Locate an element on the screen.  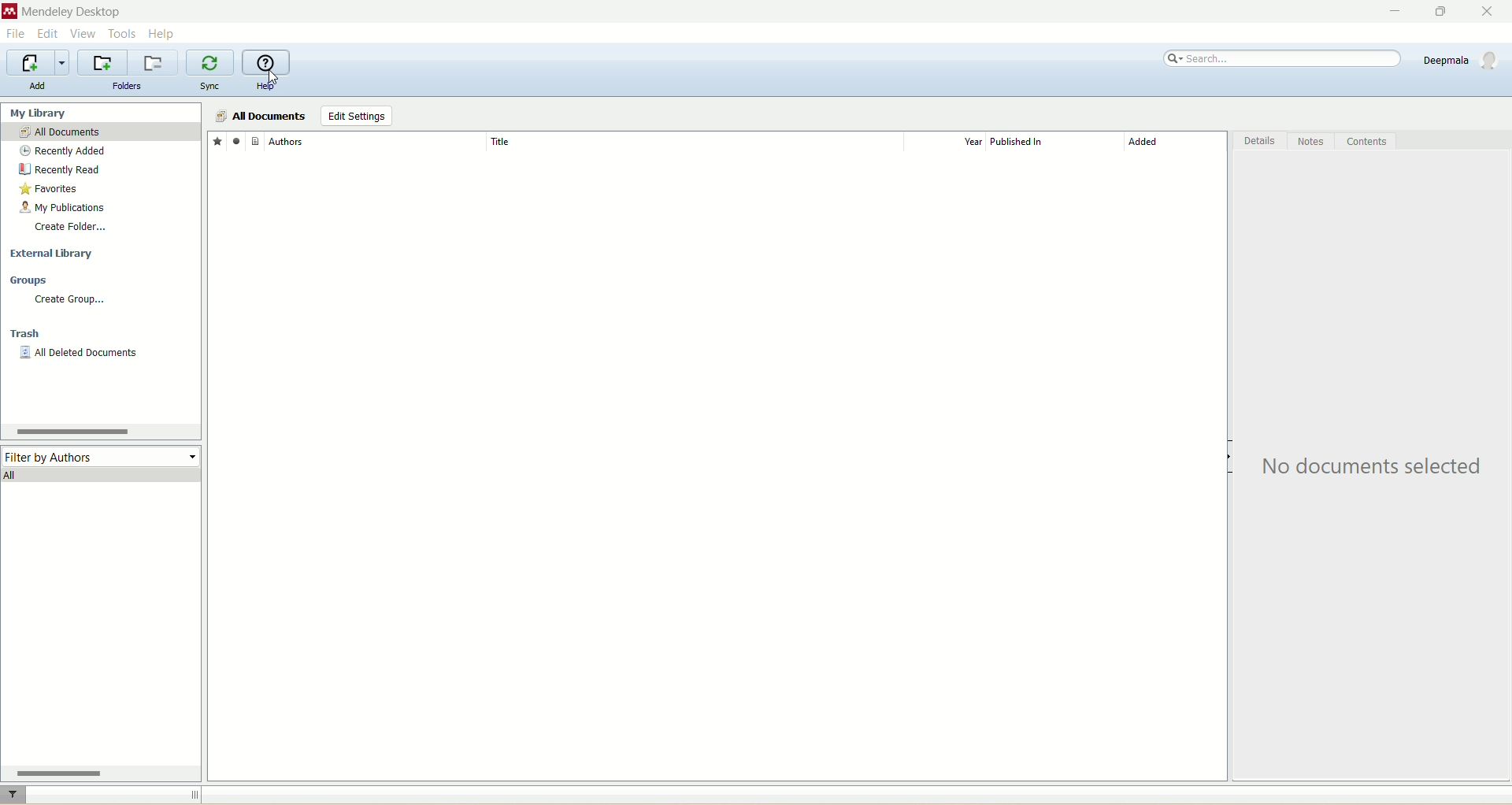
create a new folder is located at coordinates (101, 62).